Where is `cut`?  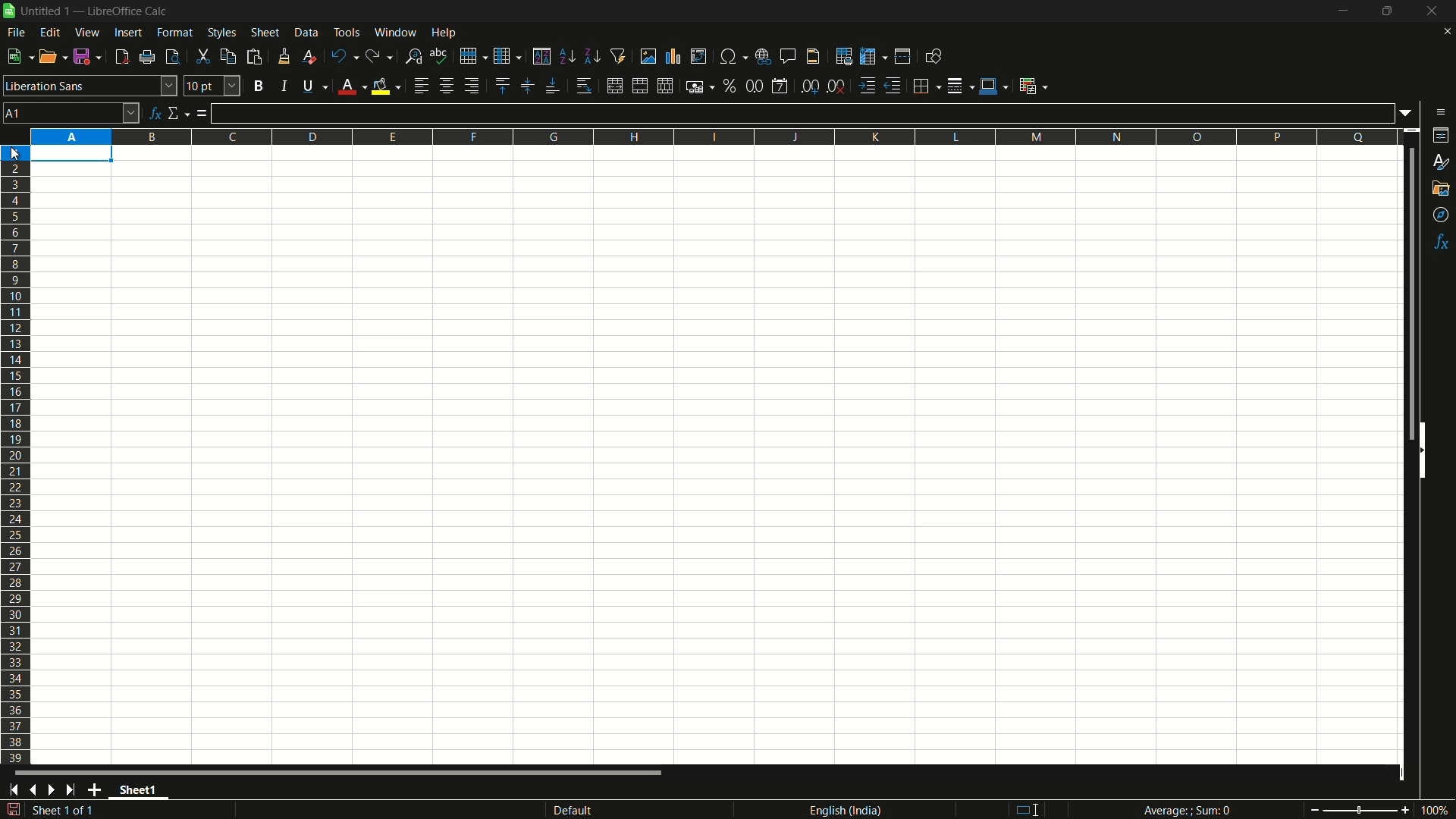 cut is located at coordinates (202, 56).